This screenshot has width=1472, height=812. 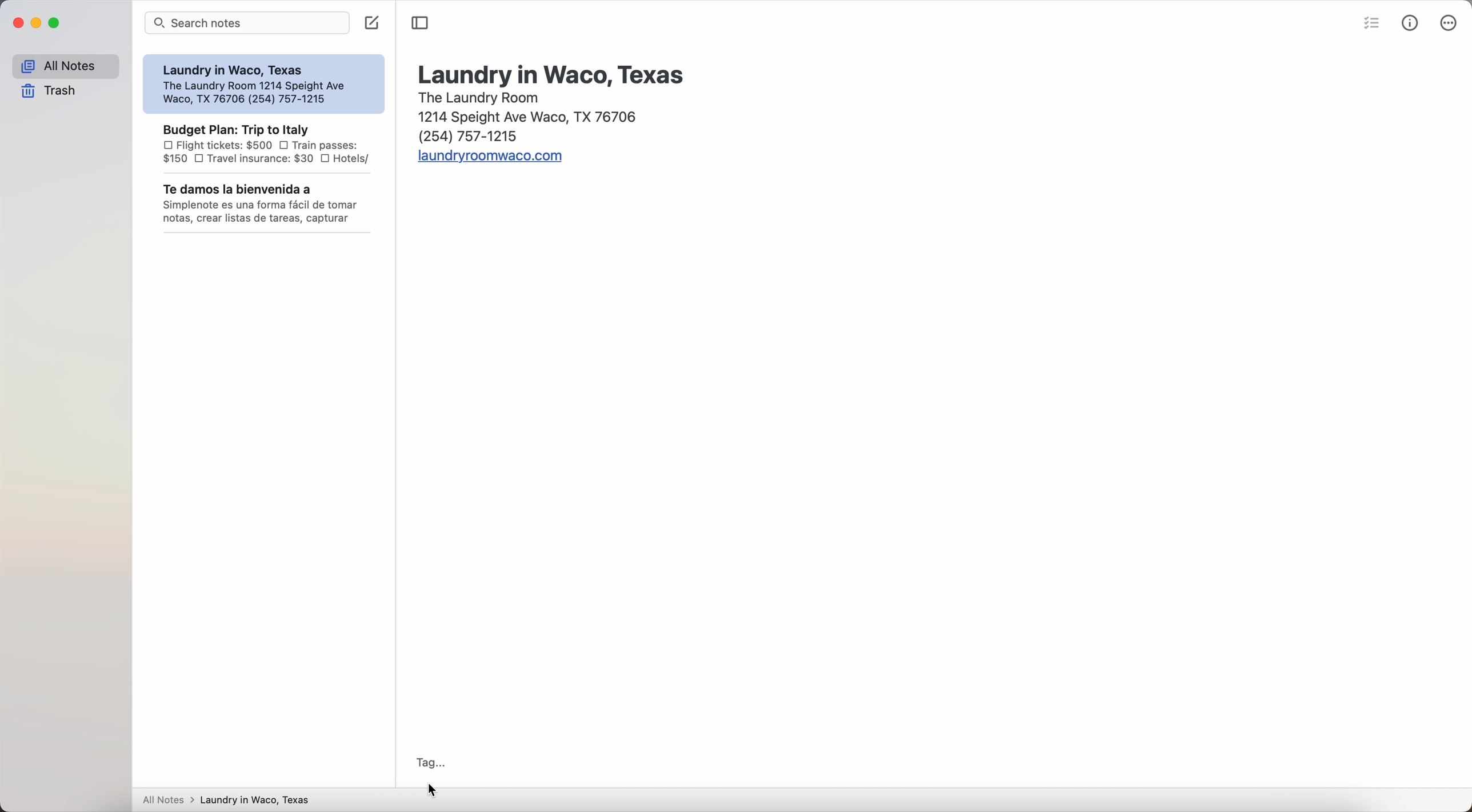 What do you see at coordinates (373, 22) in the screenshot?
I see `create note` at bounding box center [373, 22].